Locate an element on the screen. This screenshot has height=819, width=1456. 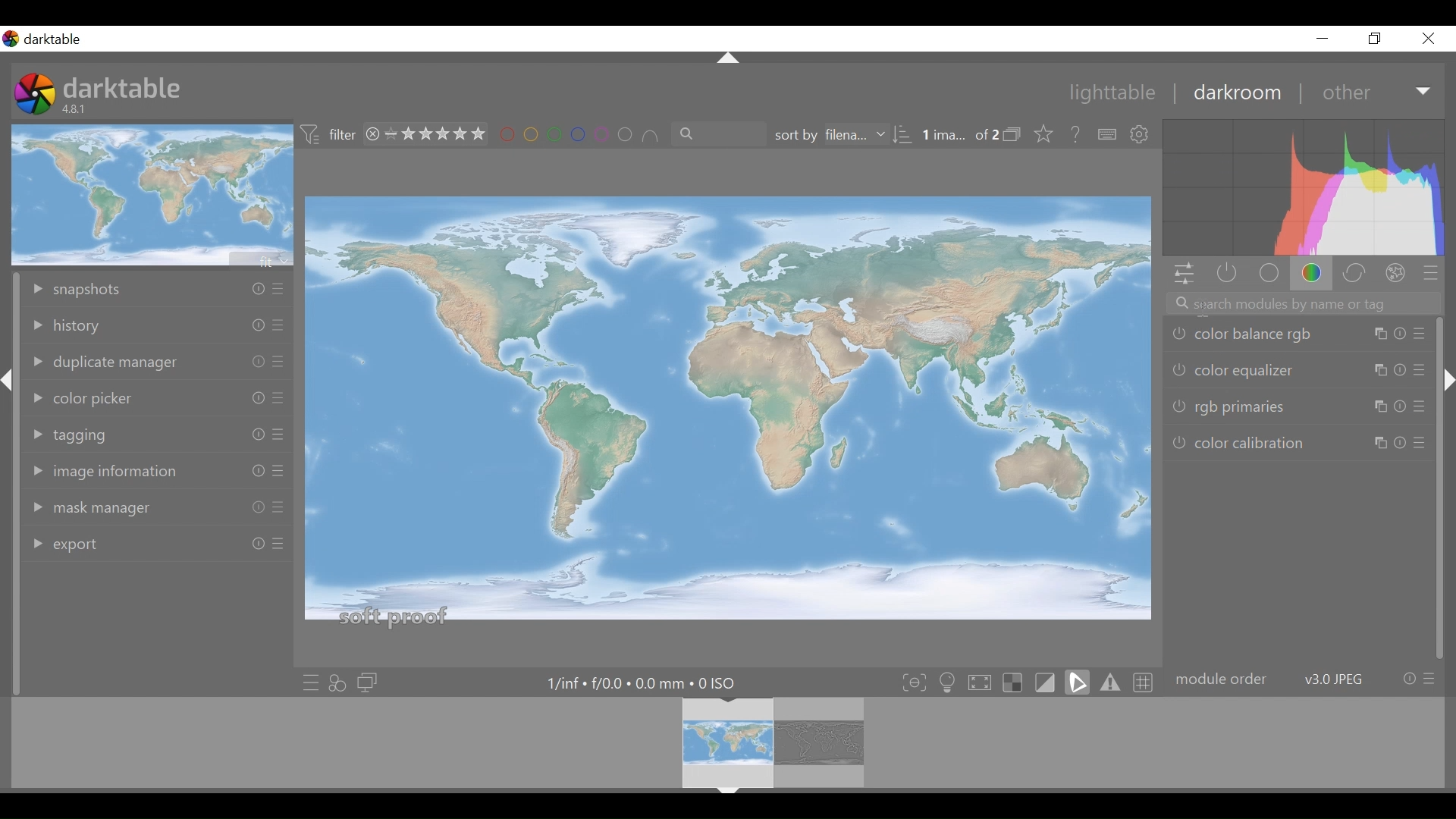
close is located at coordinates (1427, 39).